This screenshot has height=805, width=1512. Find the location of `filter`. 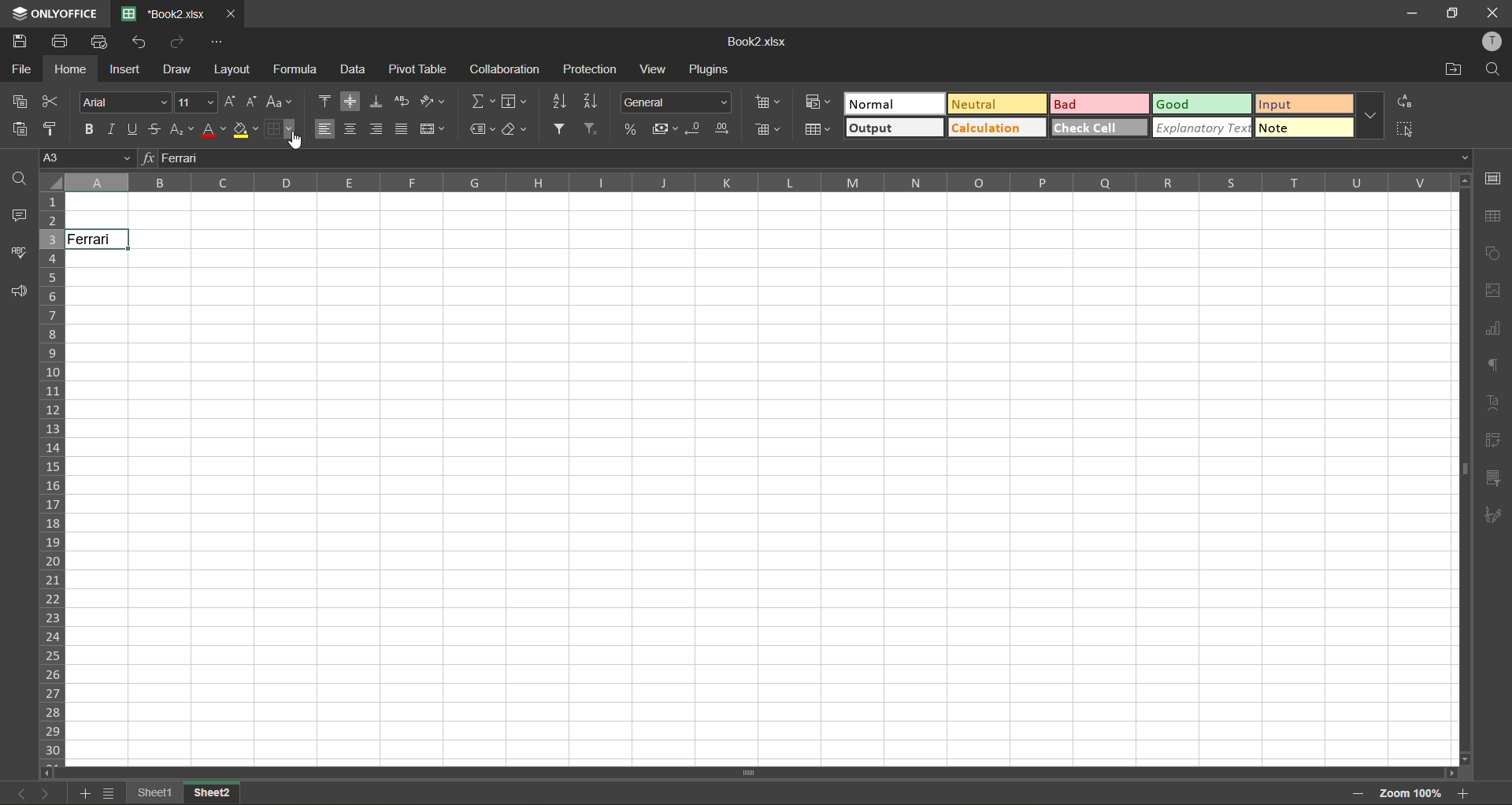

filter is located at coordinates (563, 128).